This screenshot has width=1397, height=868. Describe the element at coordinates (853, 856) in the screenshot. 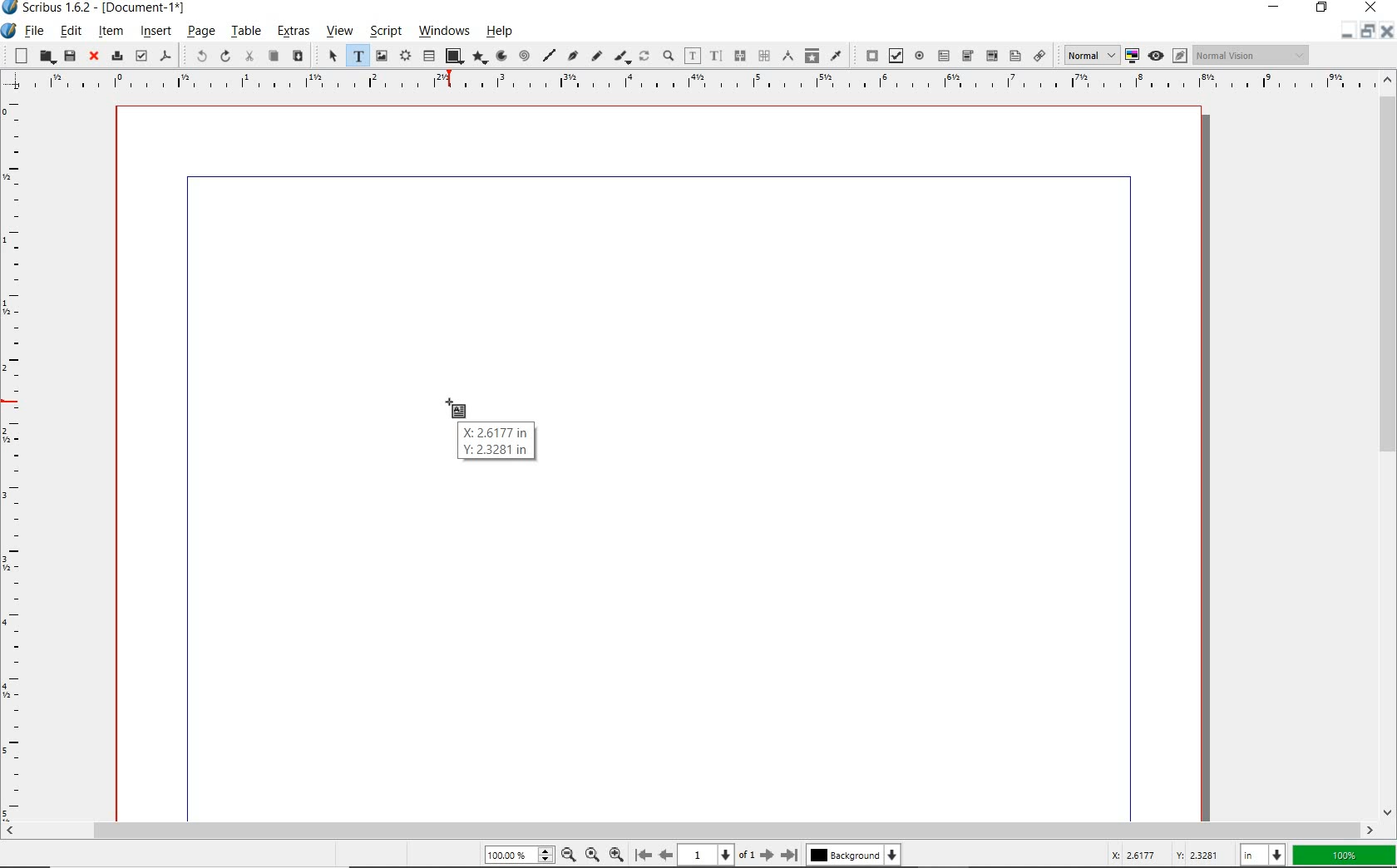

I see `Background` at that location.